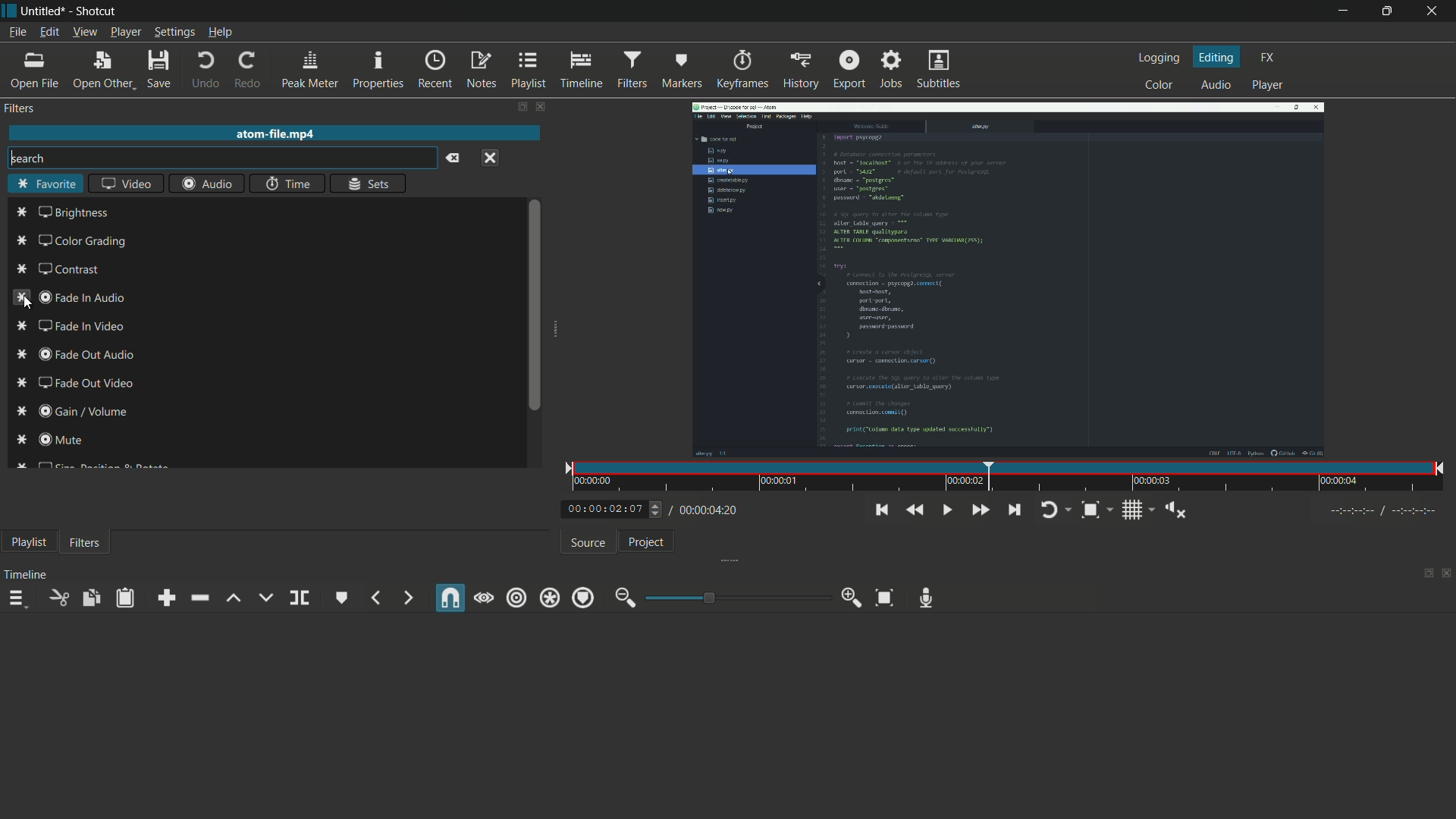  I want to click on view menu, so click(85, 32).